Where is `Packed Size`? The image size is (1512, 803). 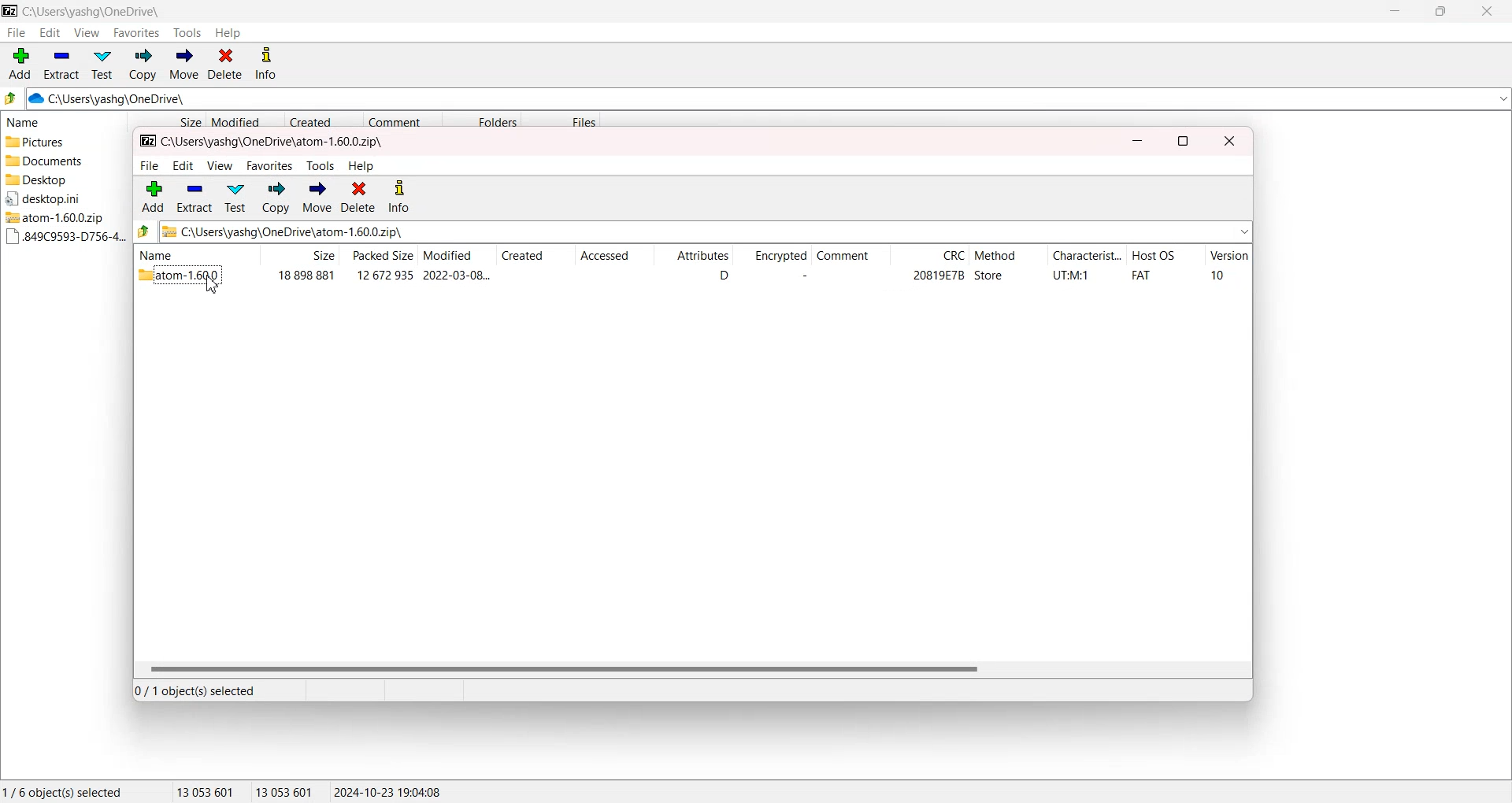 Packed Size is located at coordinates (378, 255).